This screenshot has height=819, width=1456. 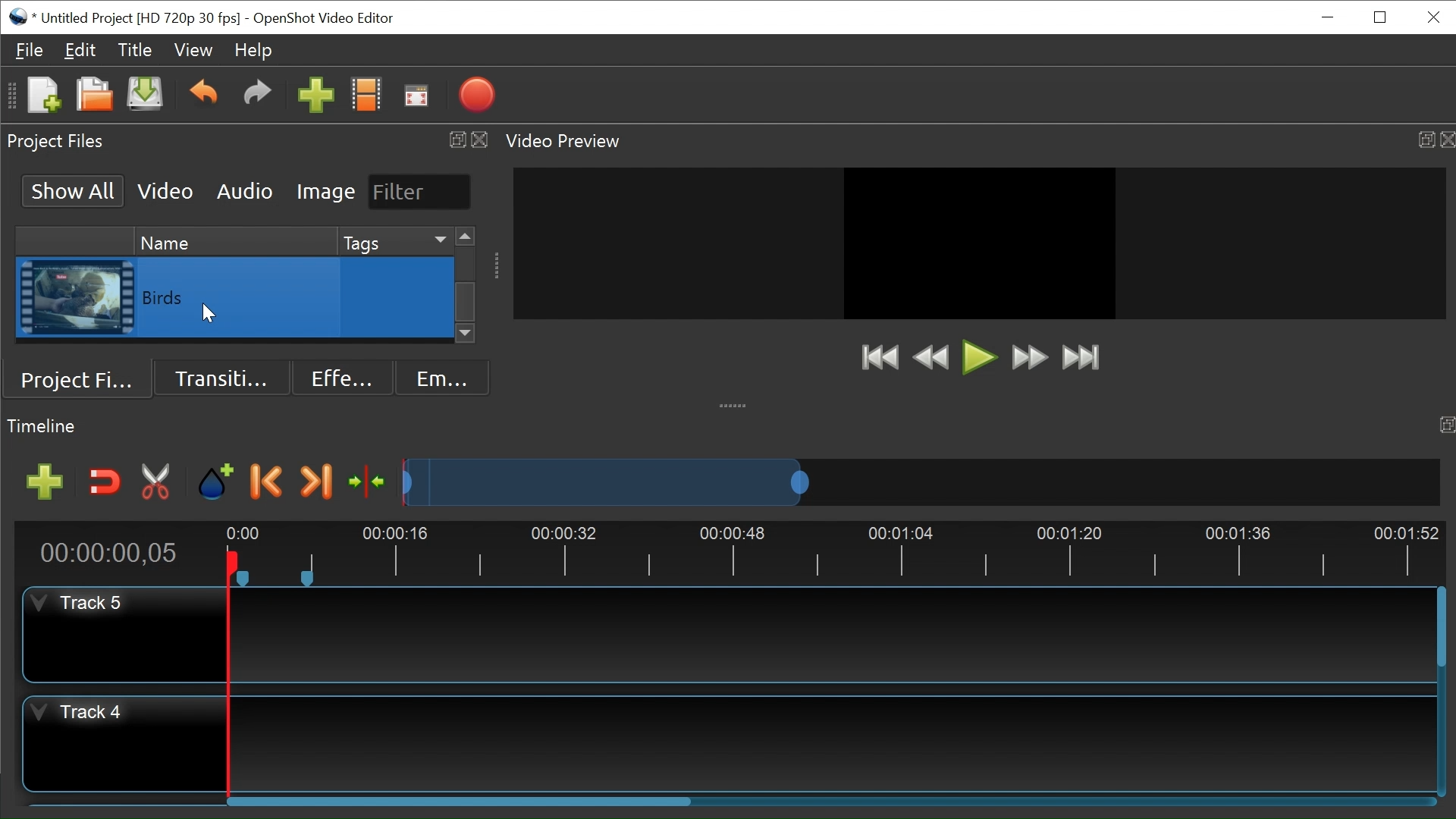 I want to click on Help, so click(x=254, y=50).